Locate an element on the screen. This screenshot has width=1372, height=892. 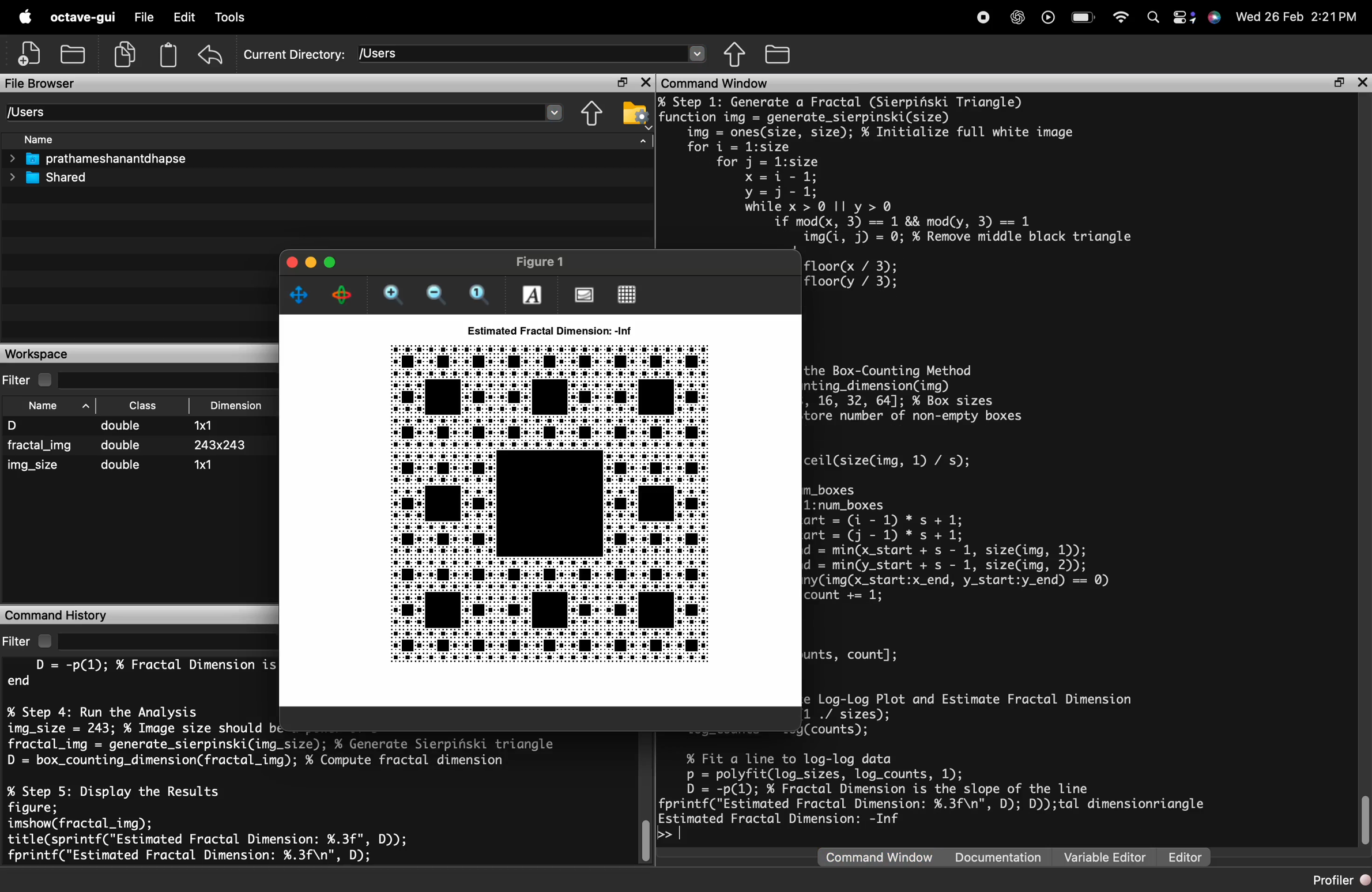
floor function is located at coordinates (865, 274).